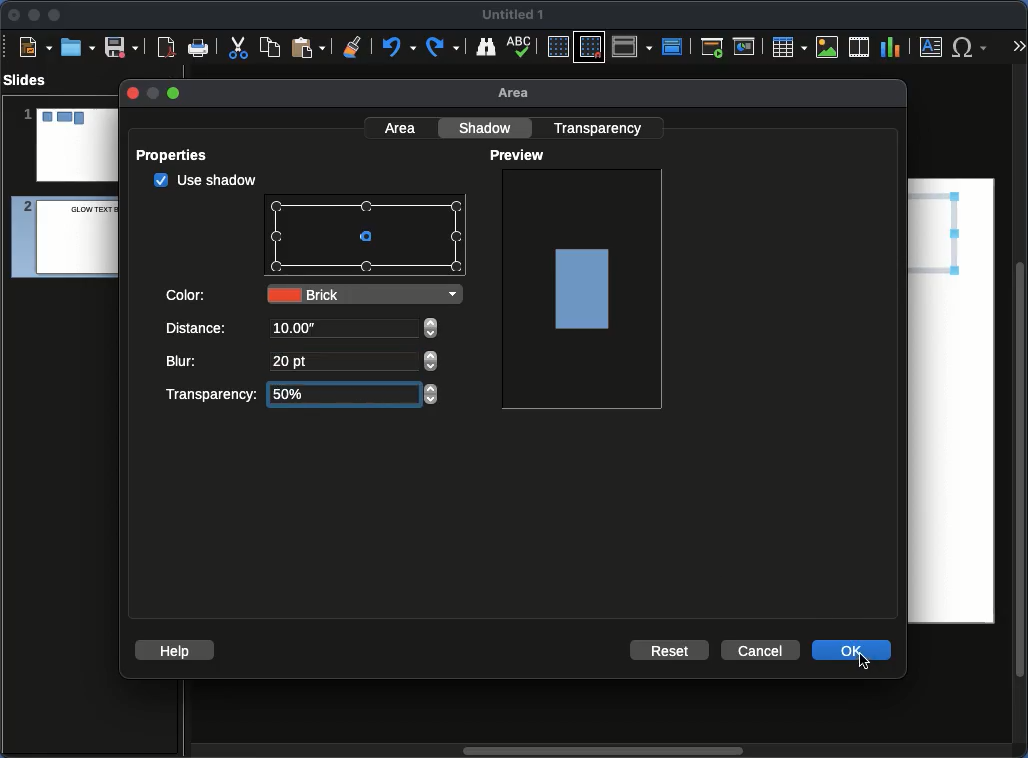  I want to click on Blur, so click(185, 361).